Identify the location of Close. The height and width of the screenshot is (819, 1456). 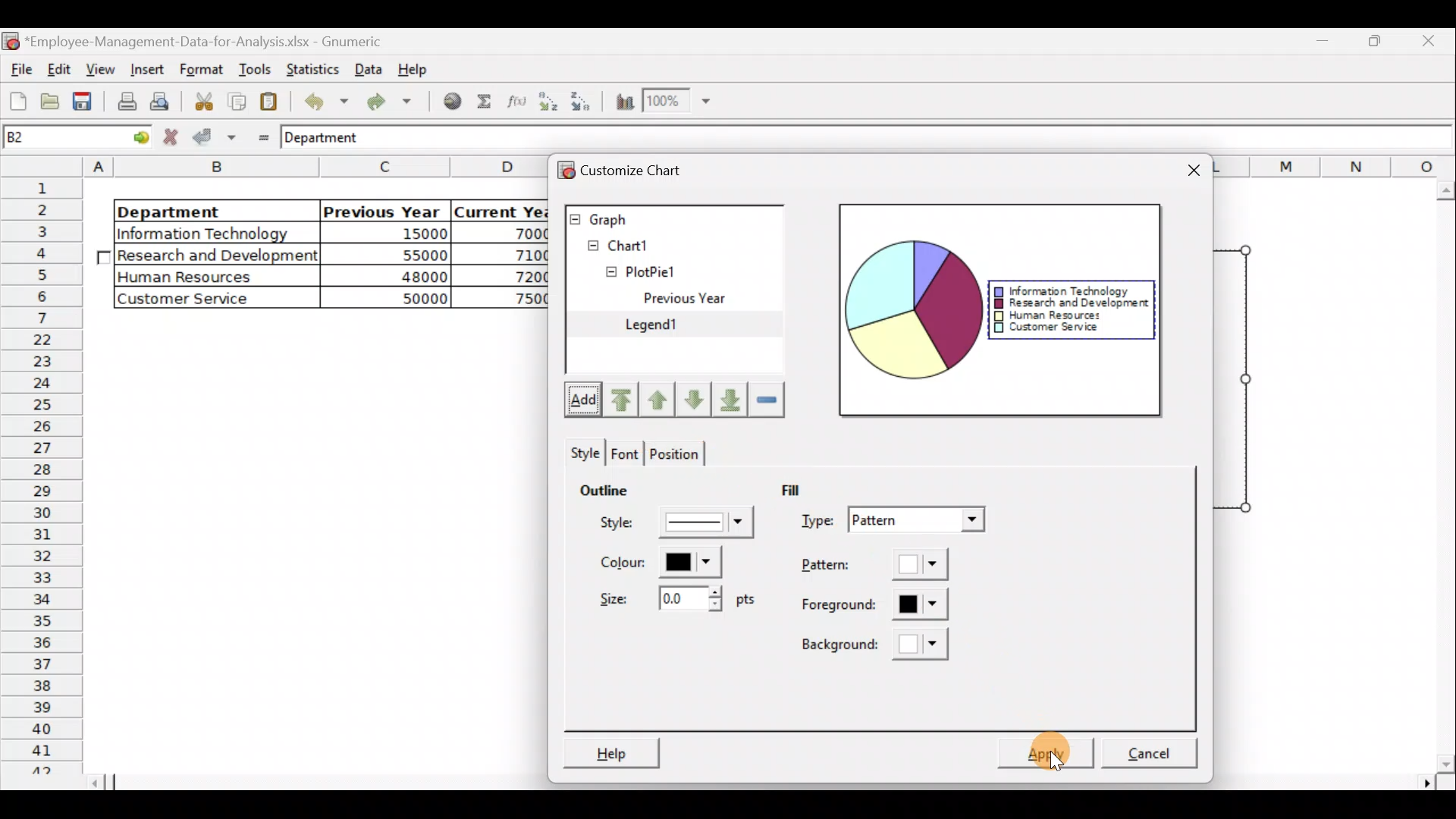
(1191, 170).